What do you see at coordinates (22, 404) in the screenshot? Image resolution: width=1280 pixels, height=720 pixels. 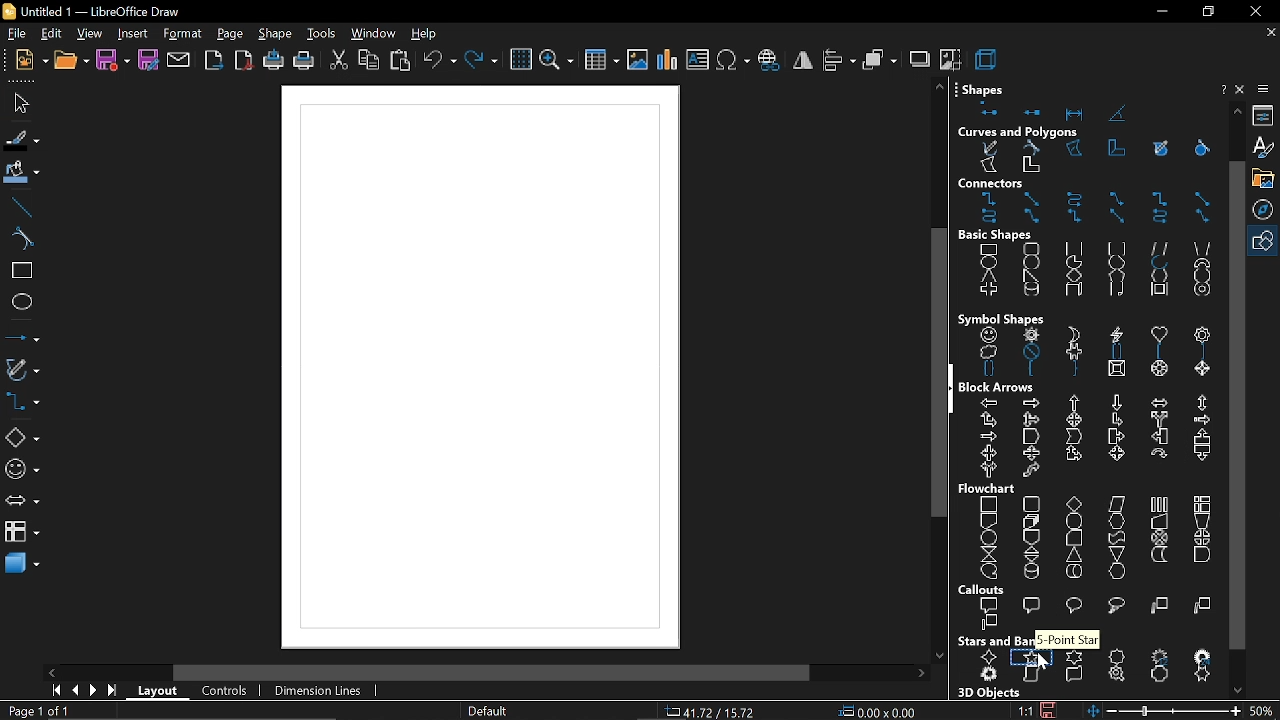 I see `connectors` at bounding box center [22, 404].